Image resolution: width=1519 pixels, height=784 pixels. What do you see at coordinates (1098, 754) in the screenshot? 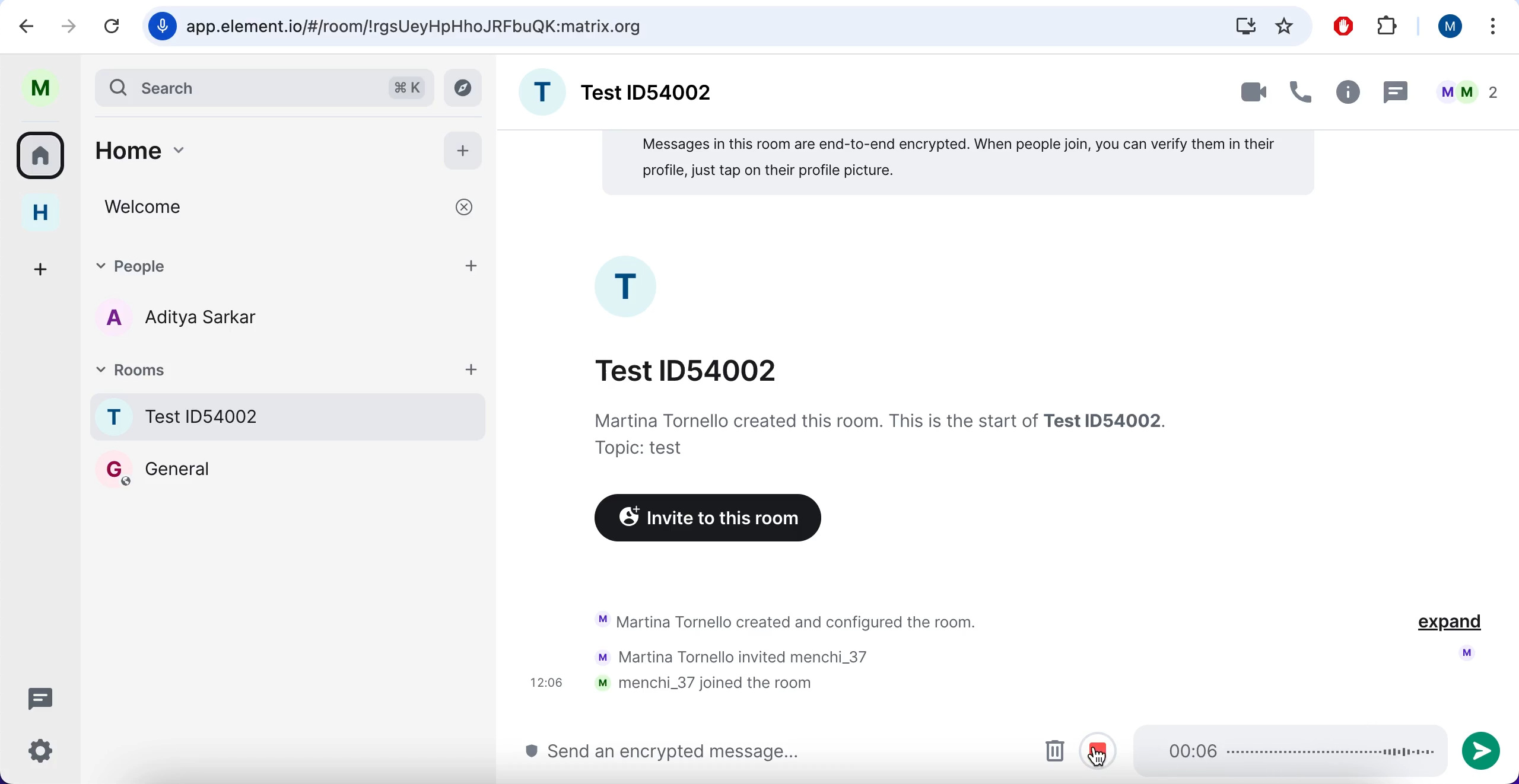
I see `cursor` at bounding box center [1098, 754].